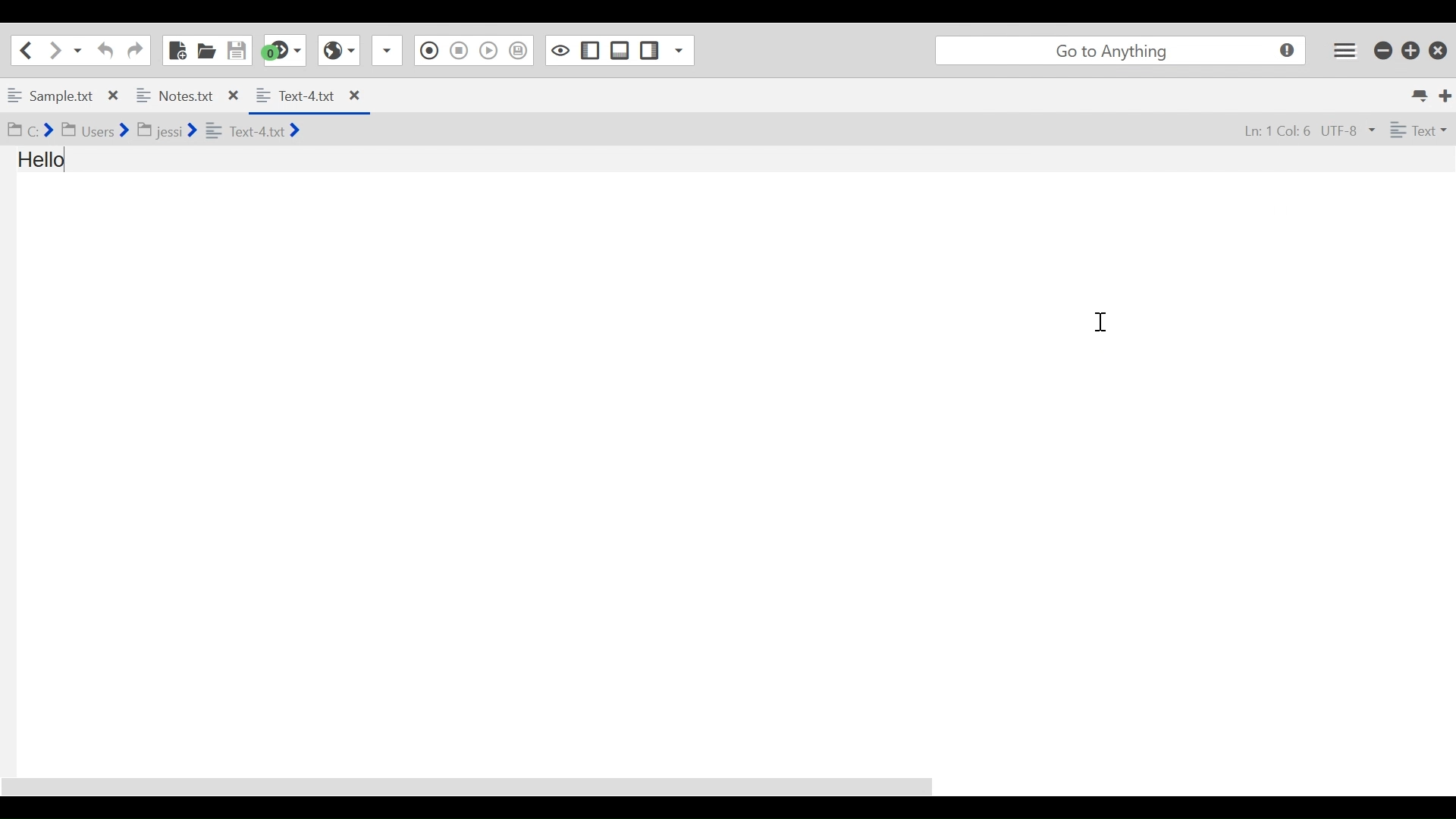  Describe the element at coordinates (677, 50) in the screenshot. I see `Show Specific Sidebar` at that location.